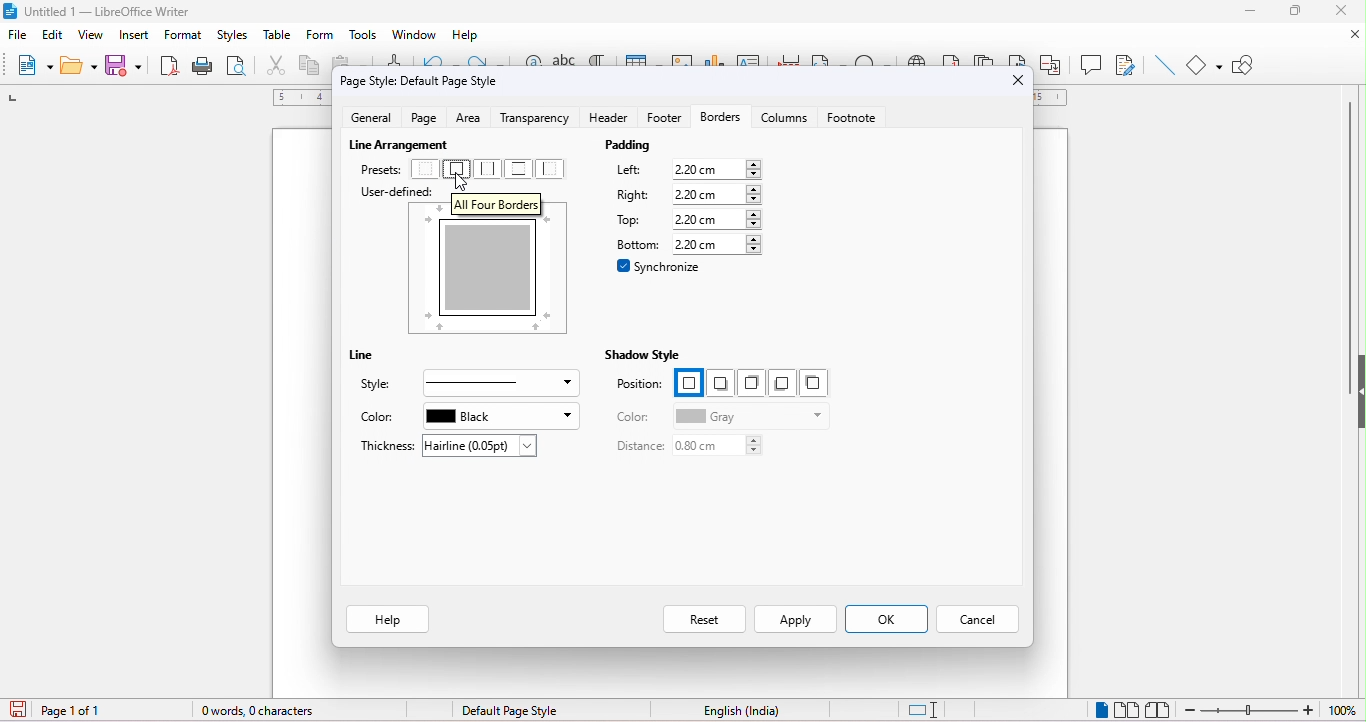 The image size is (1366, 722). What do you see at coordinates (741, 712) in the screenshot?
I see `text language` at bounding box center [741, 712].